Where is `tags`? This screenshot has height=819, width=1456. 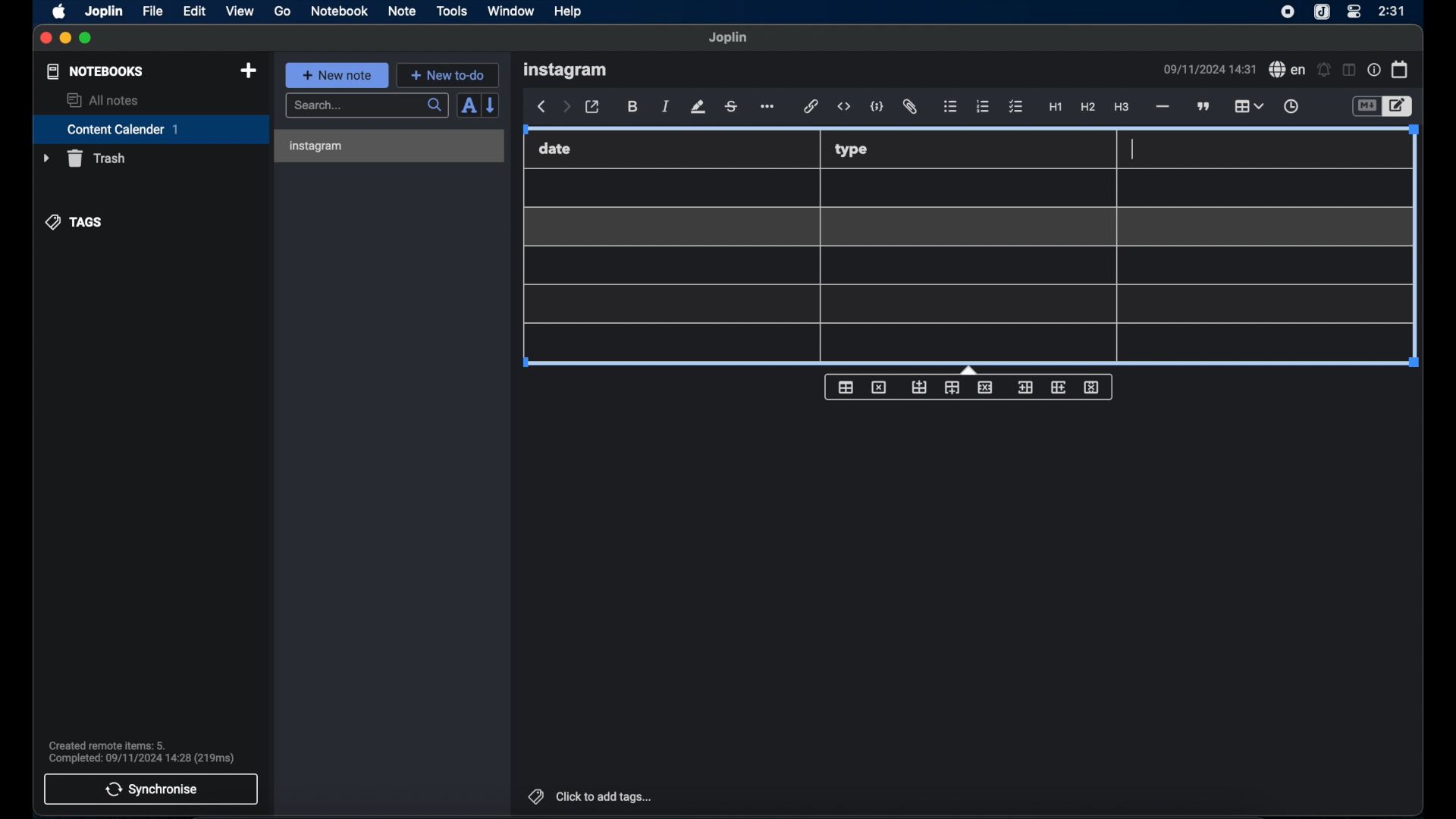
tags is located at coordinates (74, 222).